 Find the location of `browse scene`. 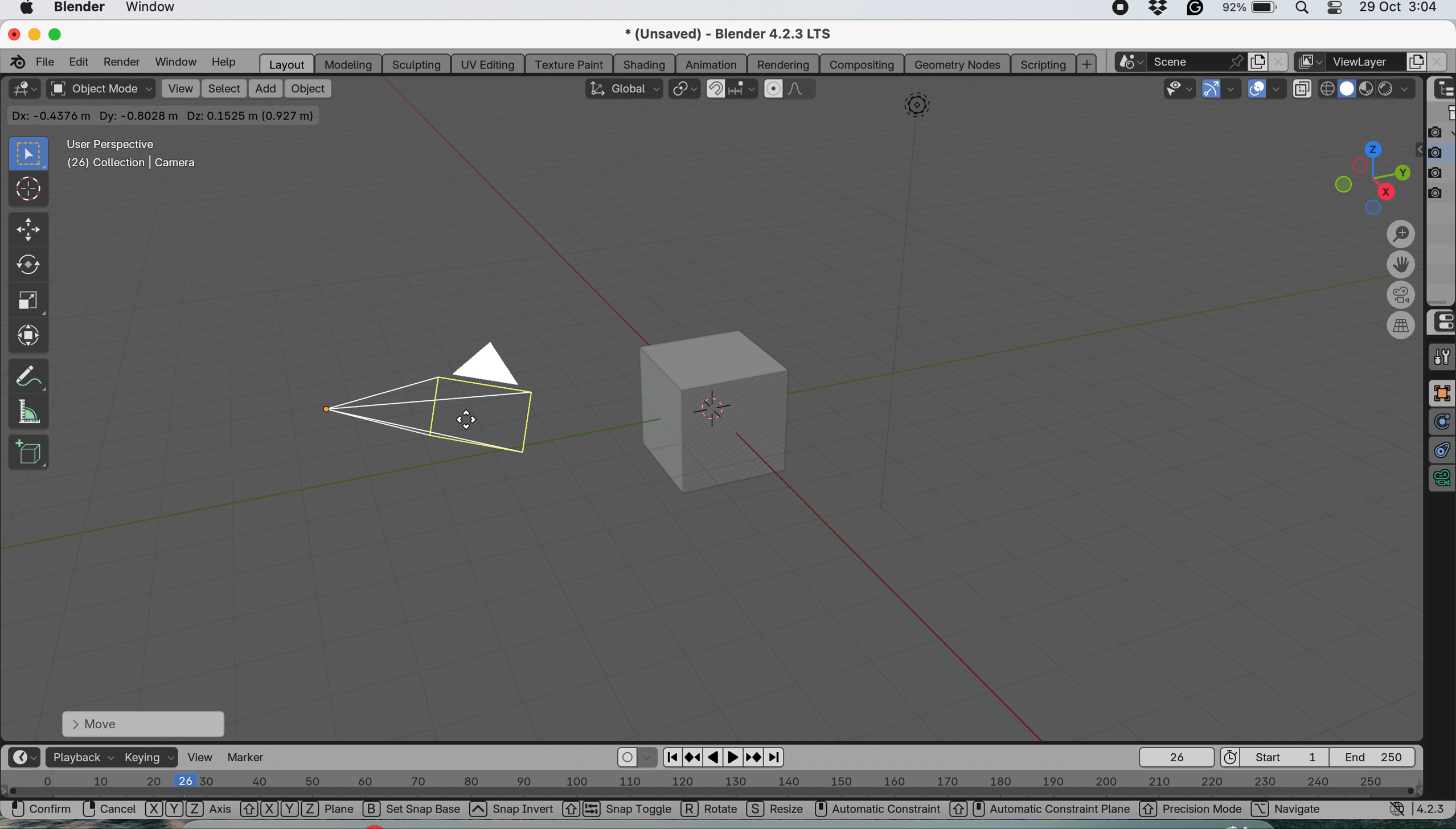

browse scene is located at coordinates (1134, 62).